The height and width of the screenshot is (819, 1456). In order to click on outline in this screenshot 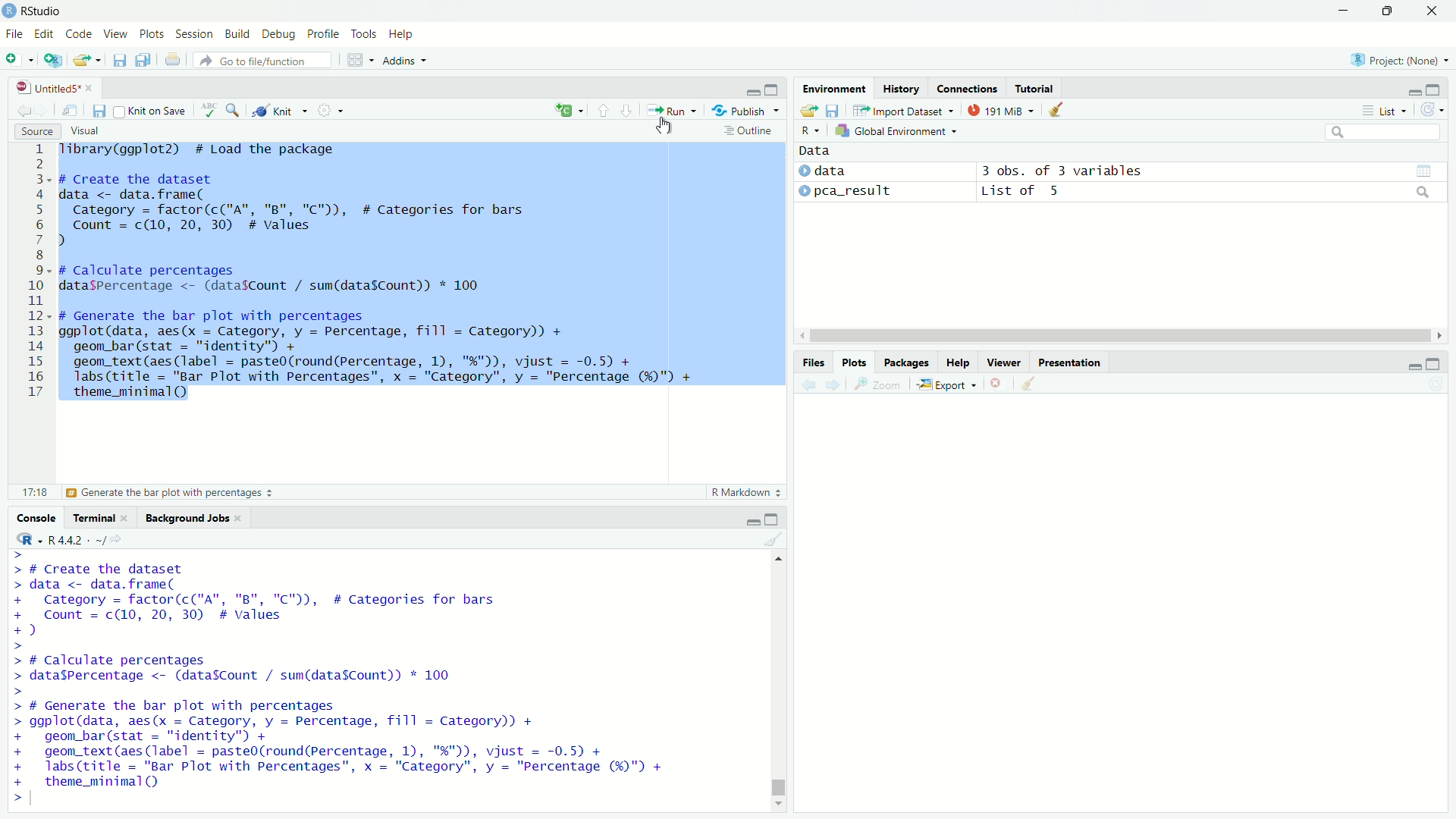, I will do `click(748, 133)`.